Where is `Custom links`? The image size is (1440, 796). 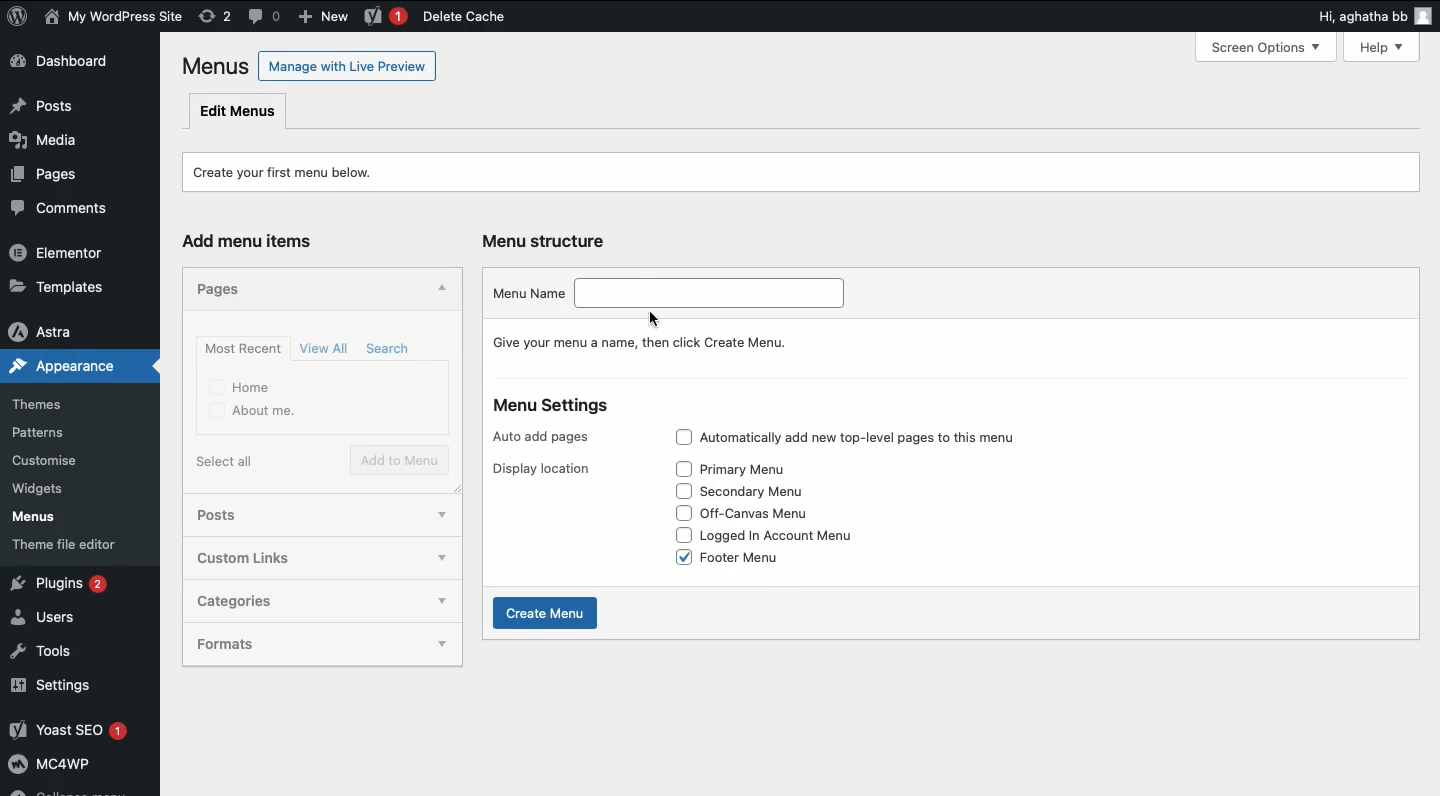 Custom links is located at coordinates (289, 556).